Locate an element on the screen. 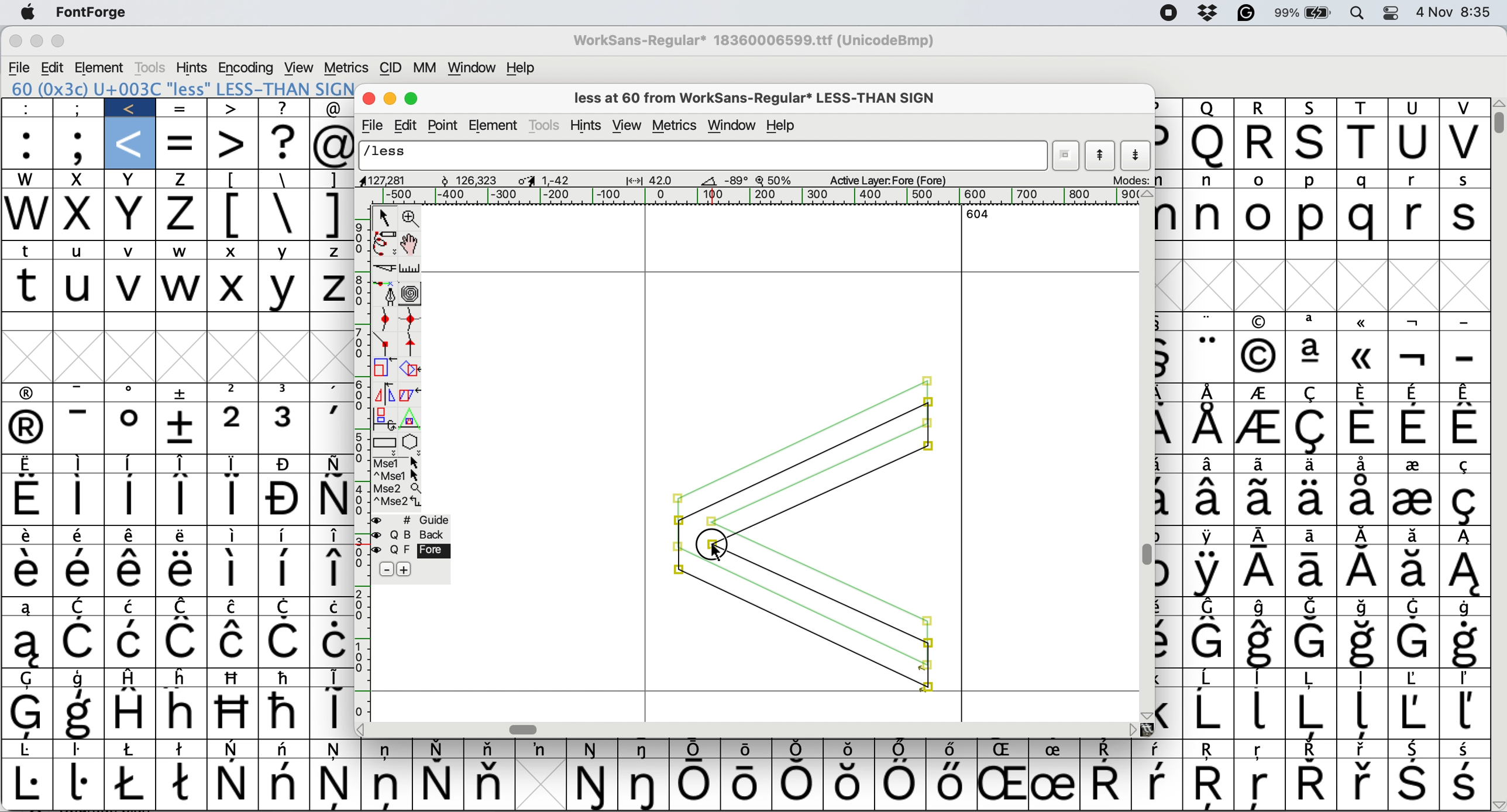  r is located at coordinates (1413, 214).